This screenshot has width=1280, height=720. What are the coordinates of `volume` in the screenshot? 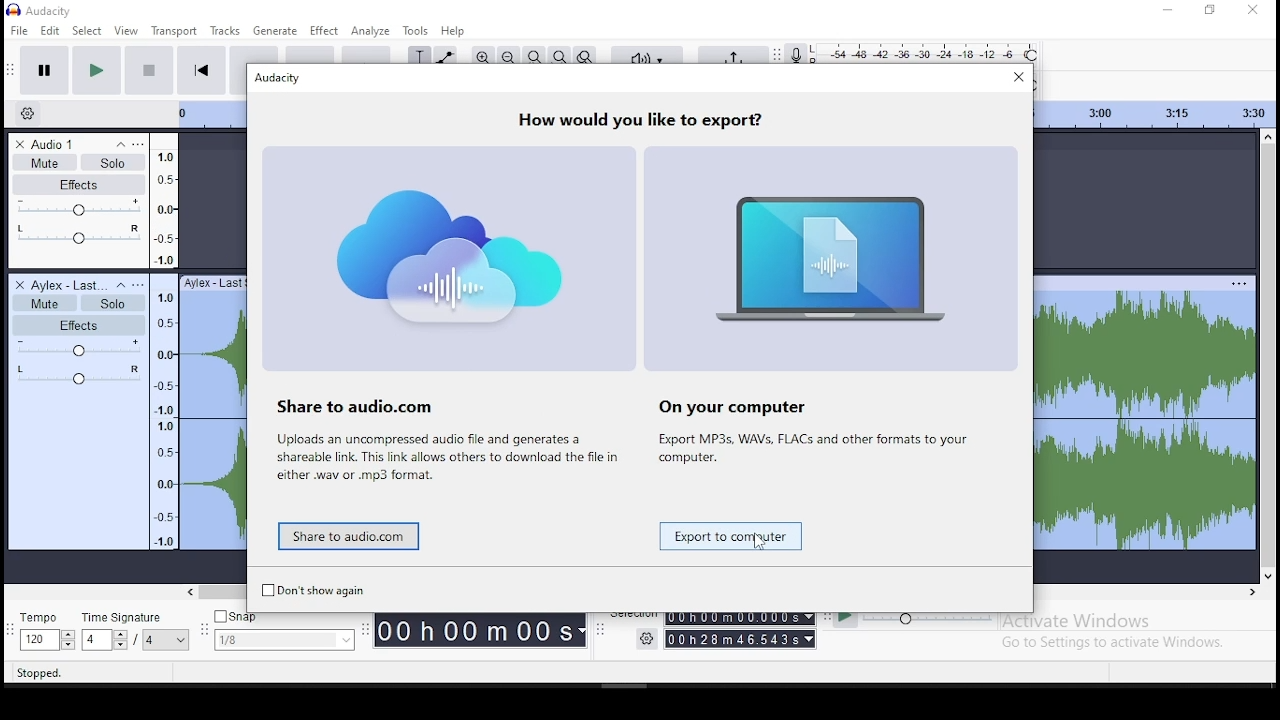 It's located at (78, 348).